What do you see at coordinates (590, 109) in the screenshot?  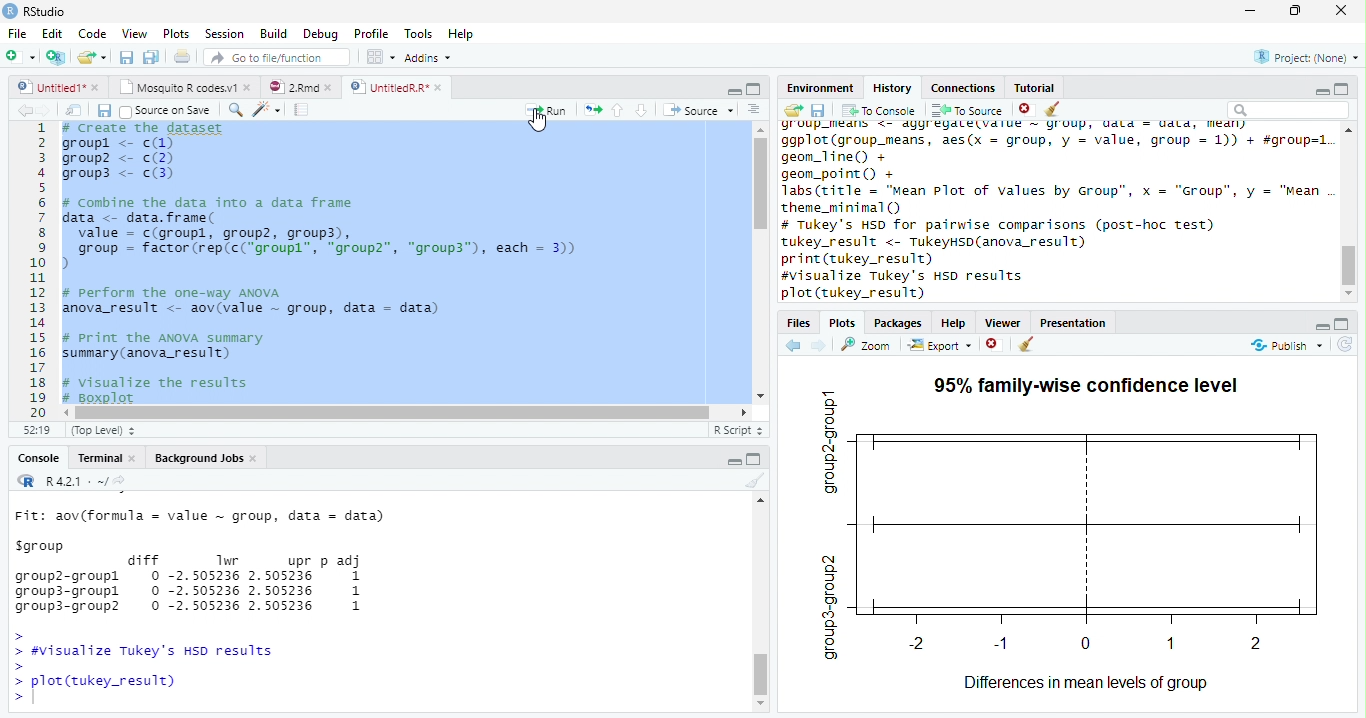 I see `Copy pages` at bounding box center [590, 109].